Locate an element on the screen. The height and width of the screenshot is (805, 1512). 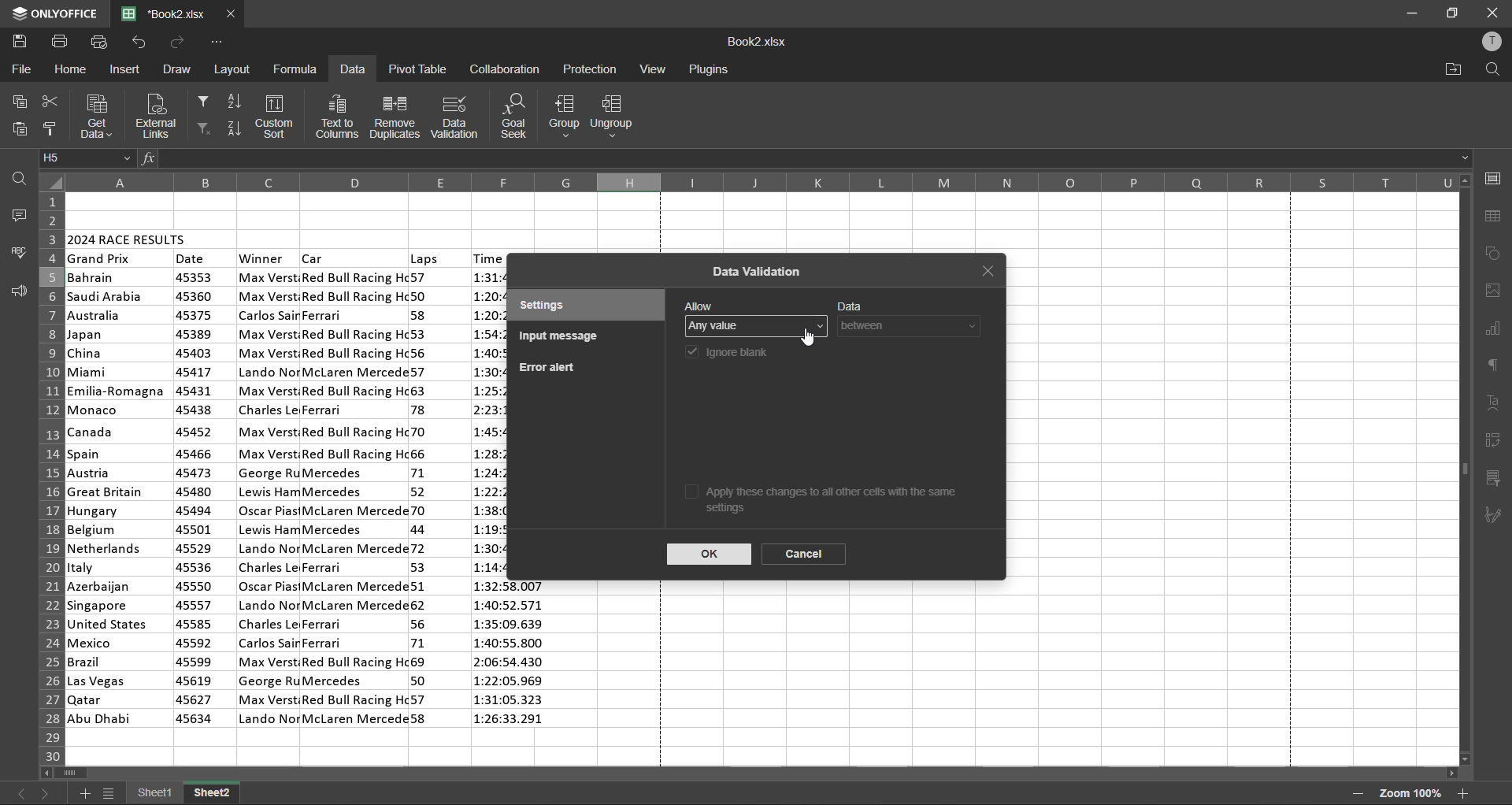
goal seek is located at coordinates (518, 114).